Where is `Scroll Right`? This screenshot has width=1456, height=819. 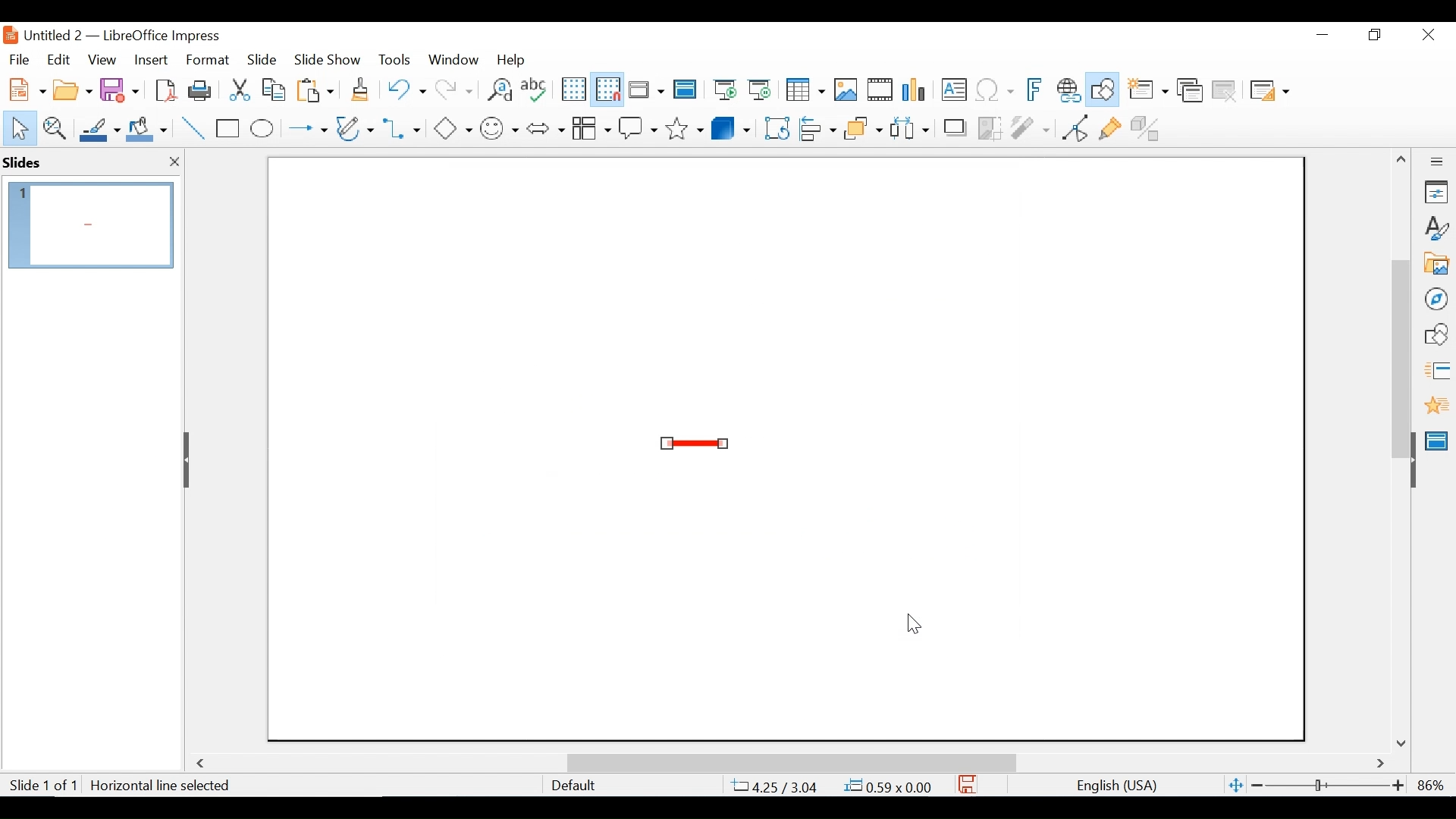 Scroll Right is located at coordinates (1381, 764).